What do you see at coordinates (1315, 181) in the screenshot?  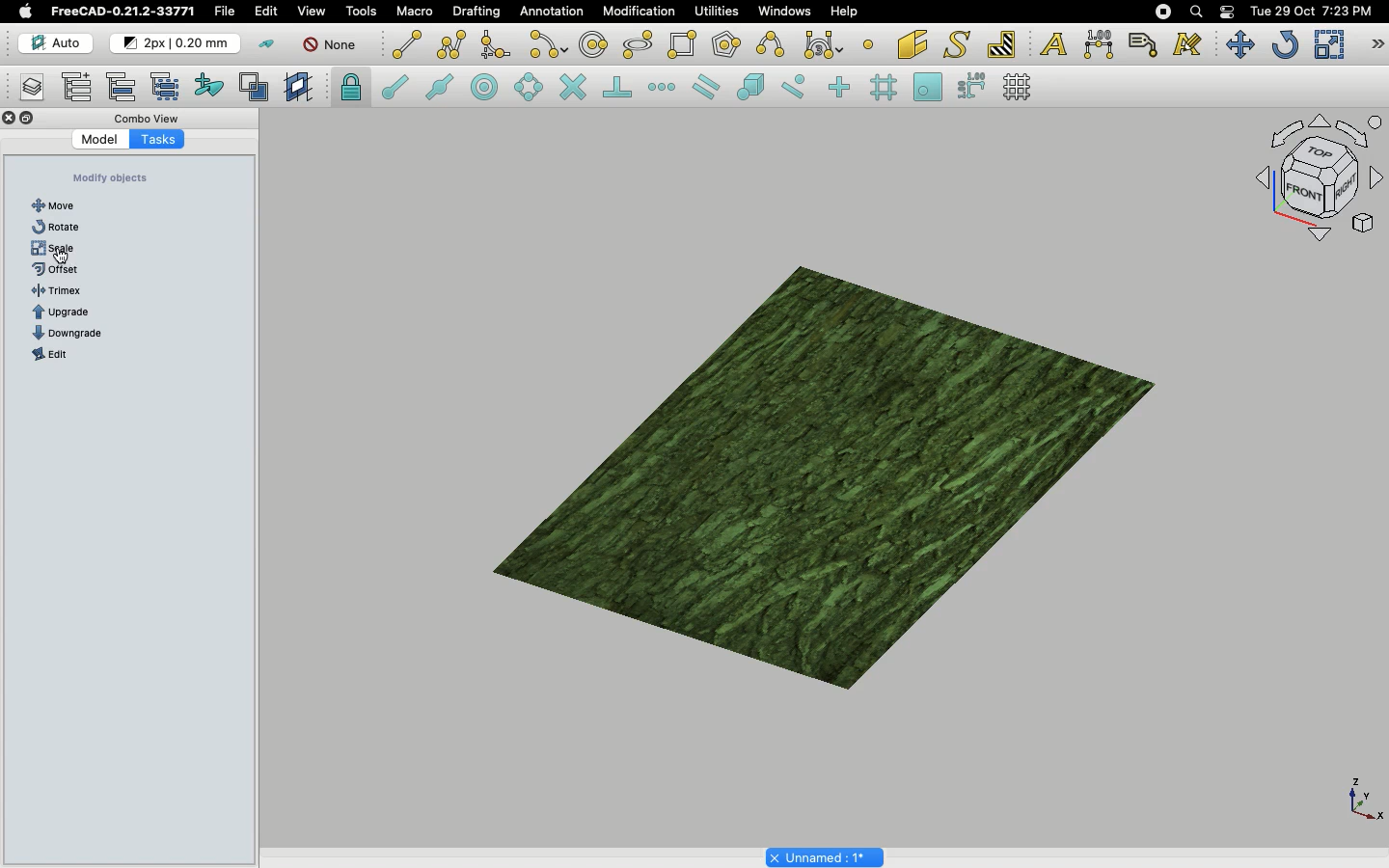 I see `Navigation styles` at bounding box center [1315, 181].